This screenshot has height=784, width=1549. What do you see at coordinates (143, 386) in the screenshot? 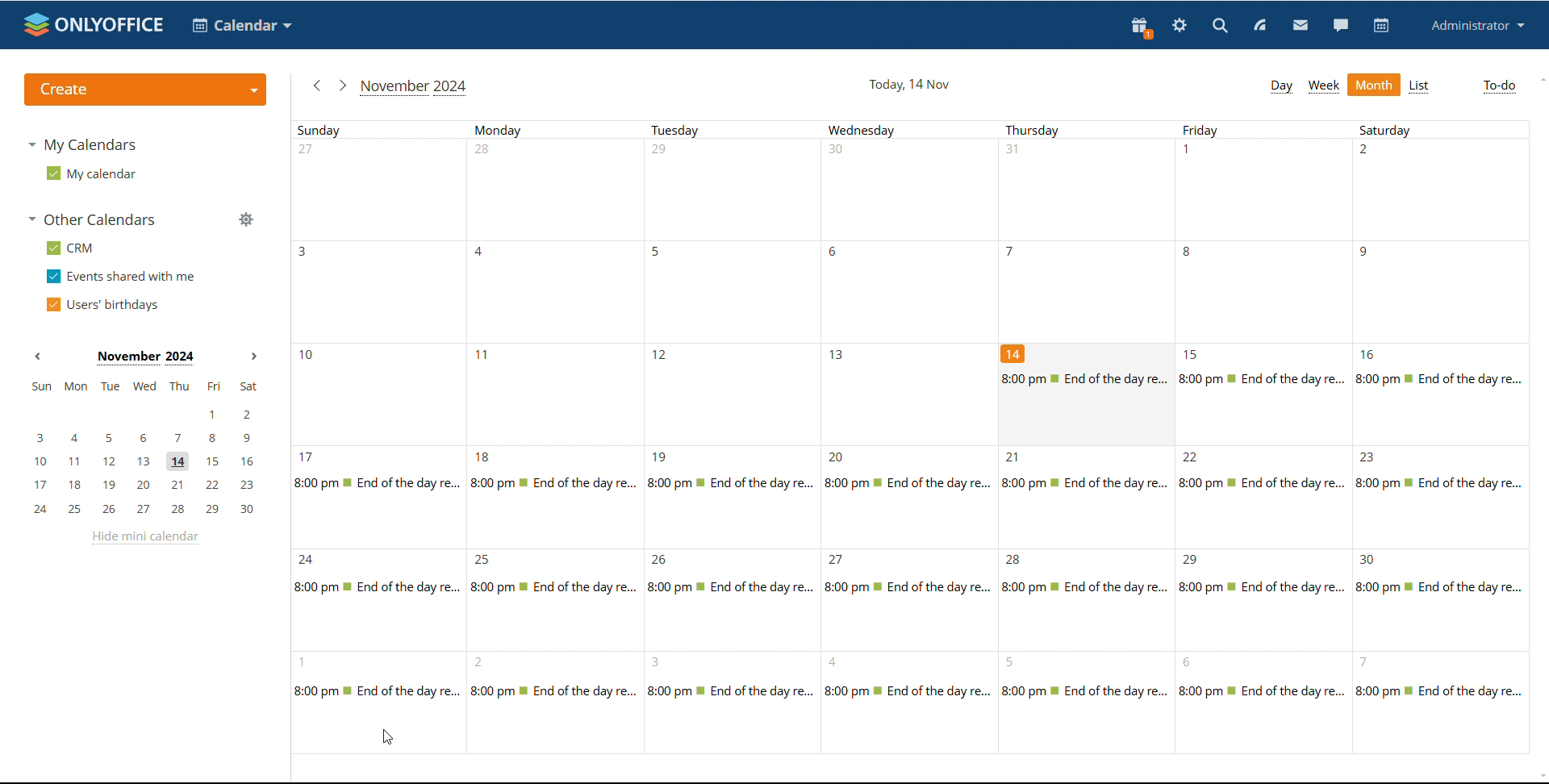
I see `sun, mon, tue, wed, thu, fri, sat` at bounding box center [143, 386].